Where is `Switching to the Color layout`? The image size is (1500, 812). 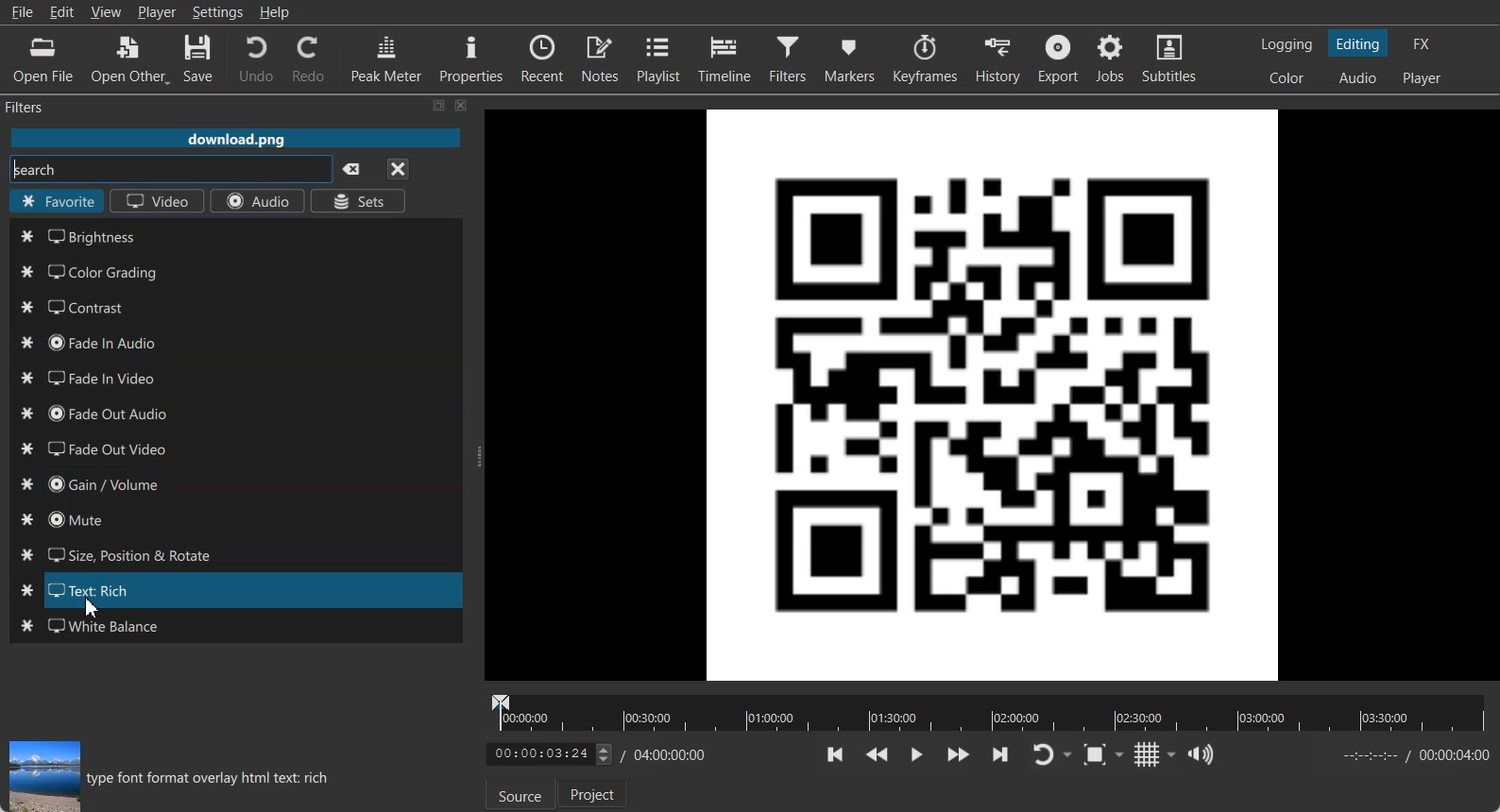 Switching to the Color layout is located at coordinates (1287, 78).